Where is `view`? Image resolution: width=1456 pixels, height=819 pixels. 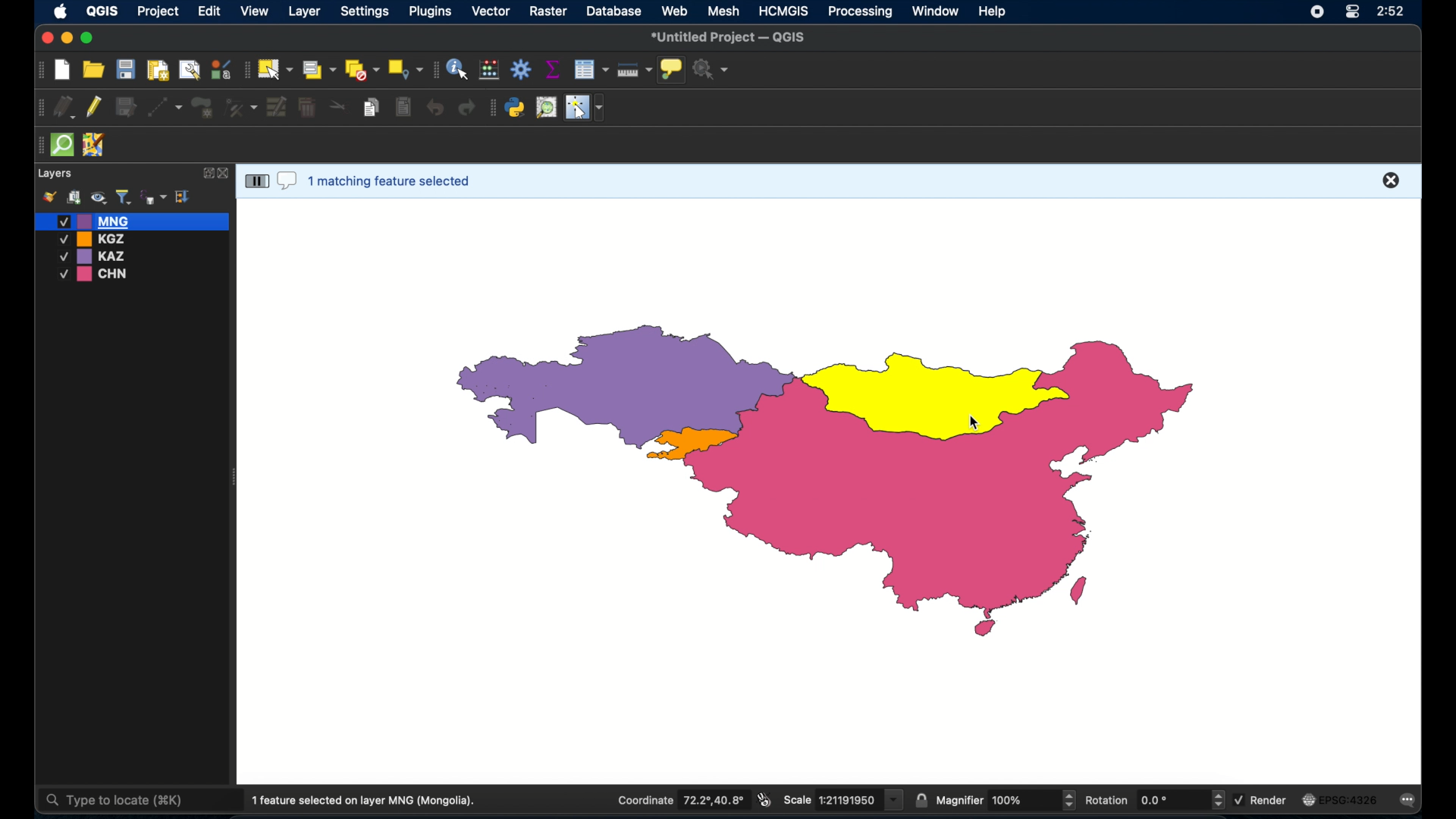 view is located at coordinates (256, 11).